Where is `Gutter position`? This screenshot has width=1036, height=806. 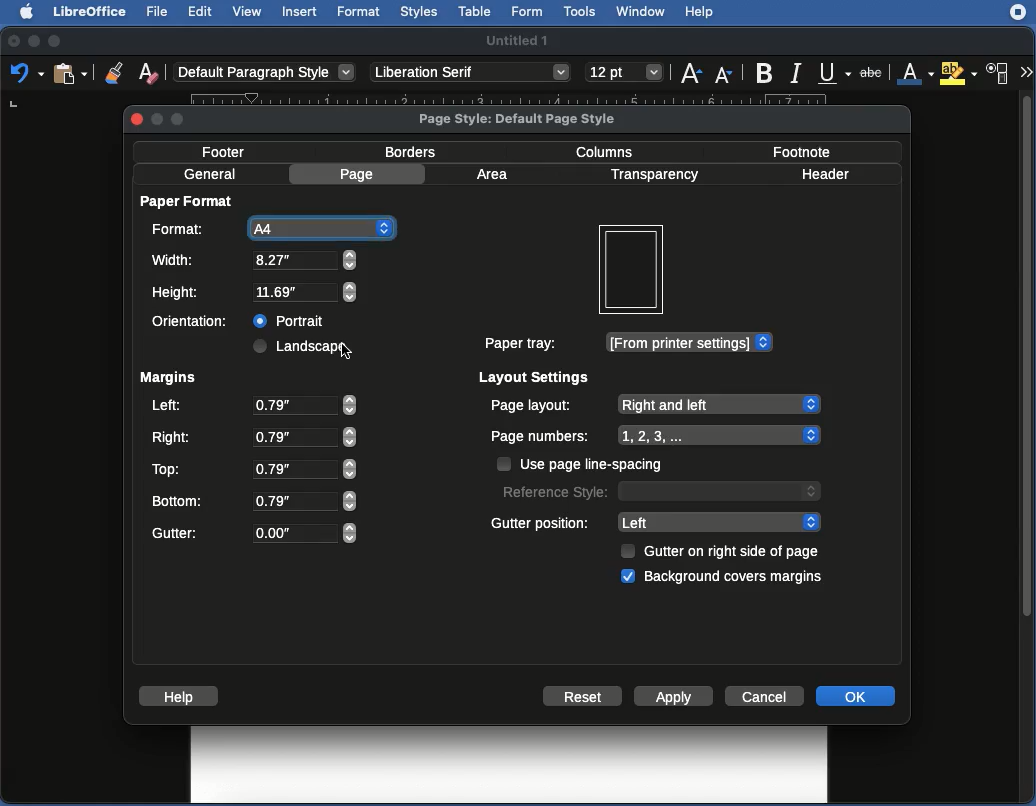 Gutter position is located at coordinates (540, 522).